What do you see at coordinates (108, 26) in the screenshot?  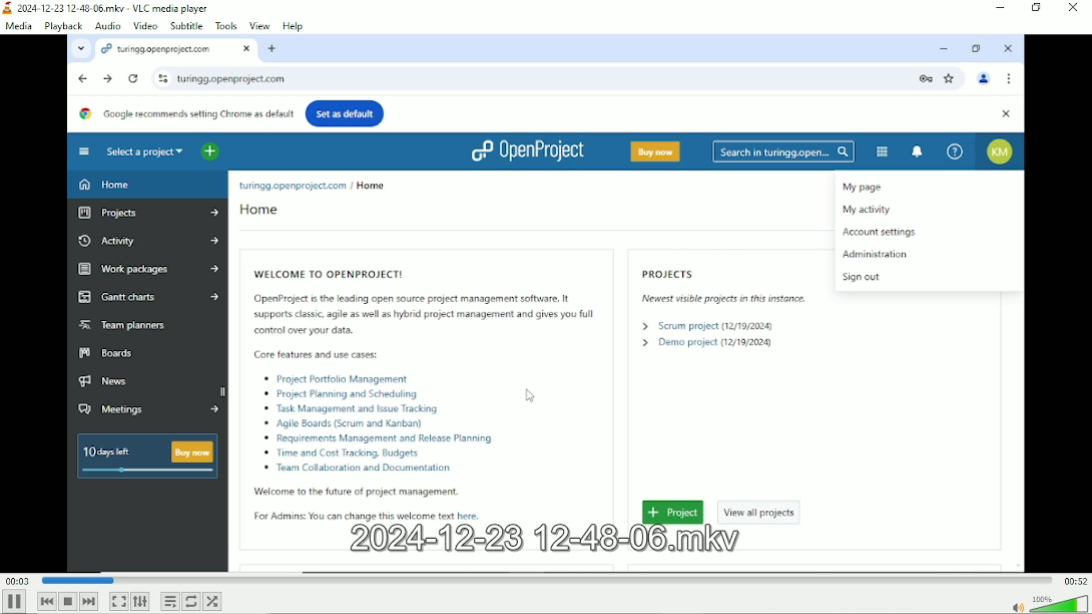 I see `Audio` at bounding box center [108, 26].